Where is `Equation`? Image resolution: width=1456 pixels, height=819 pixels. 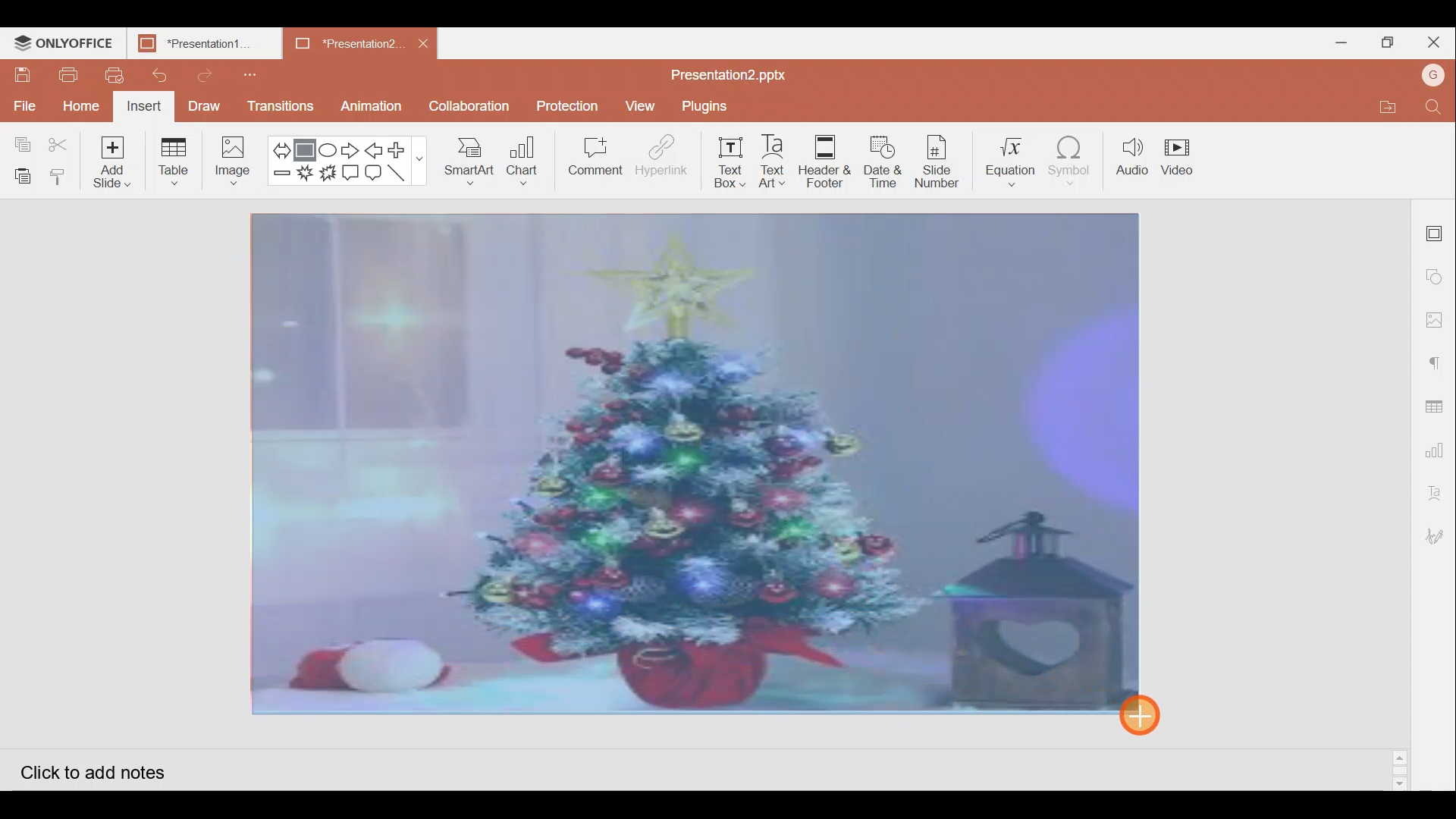 Equation is located at coordinates (1010, 158).